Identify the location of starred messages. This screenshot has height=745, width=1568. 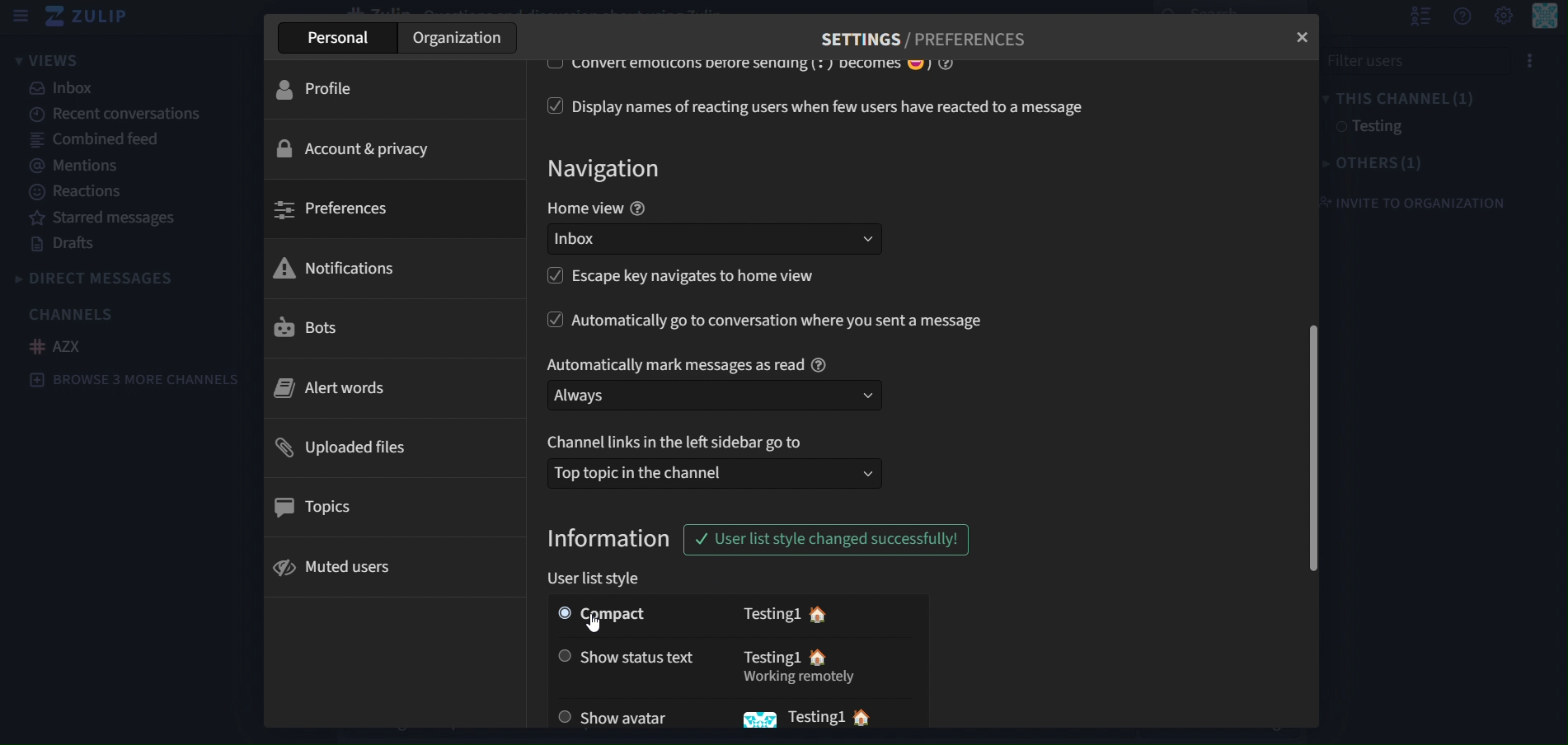
(101, 217).